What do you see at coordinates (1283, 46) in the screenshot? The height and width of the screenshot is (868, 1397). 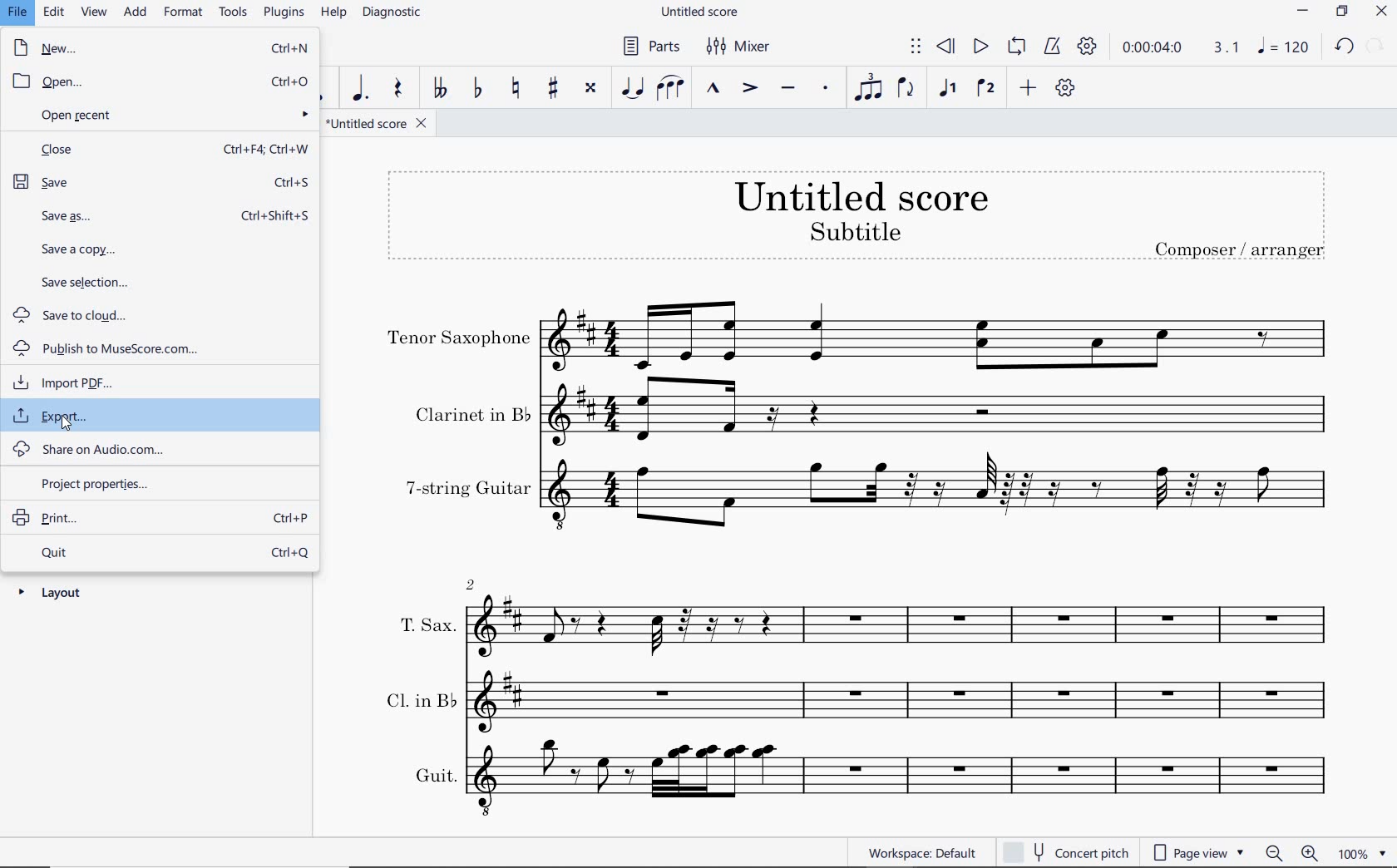 I see `NOTE` at bounding box center [1283, 46].